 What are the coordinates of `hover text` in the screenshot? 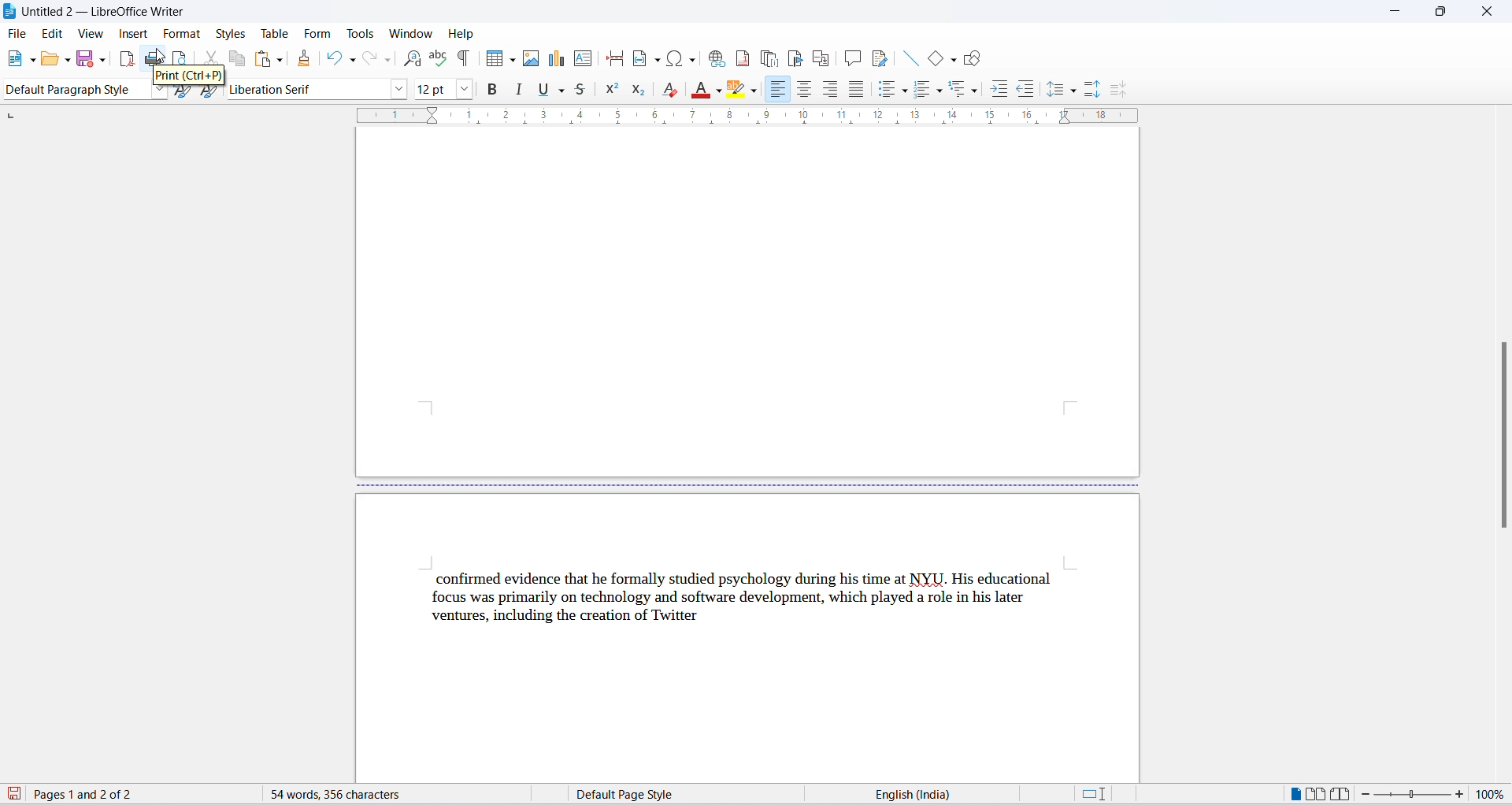 It's located at (187, 76).